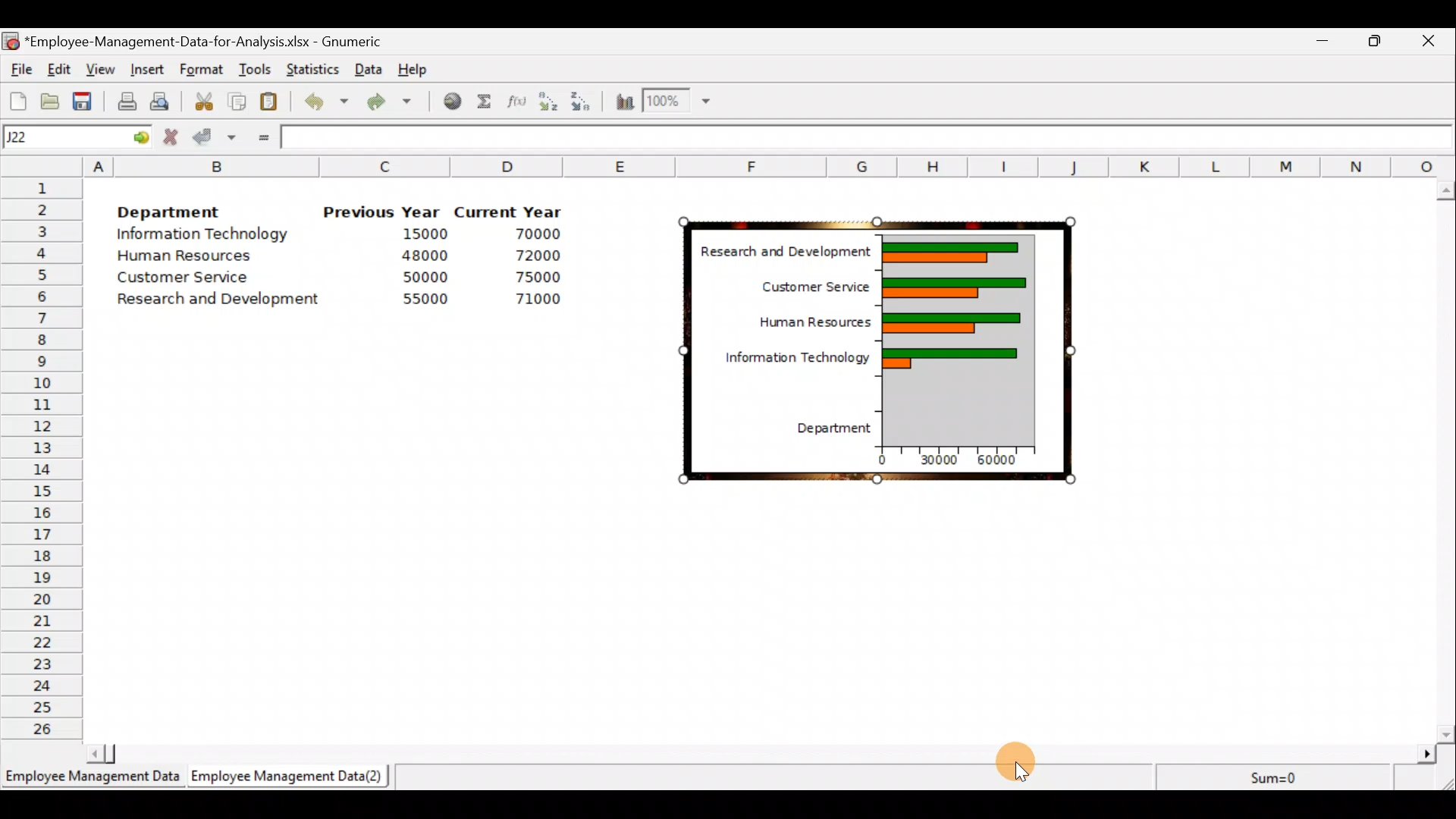 Image resolution: width=1456 pixels, height=819 pixels. Describe the element at coordinates (871, 137) in the screenshot. I see `Formula bar` at that location.